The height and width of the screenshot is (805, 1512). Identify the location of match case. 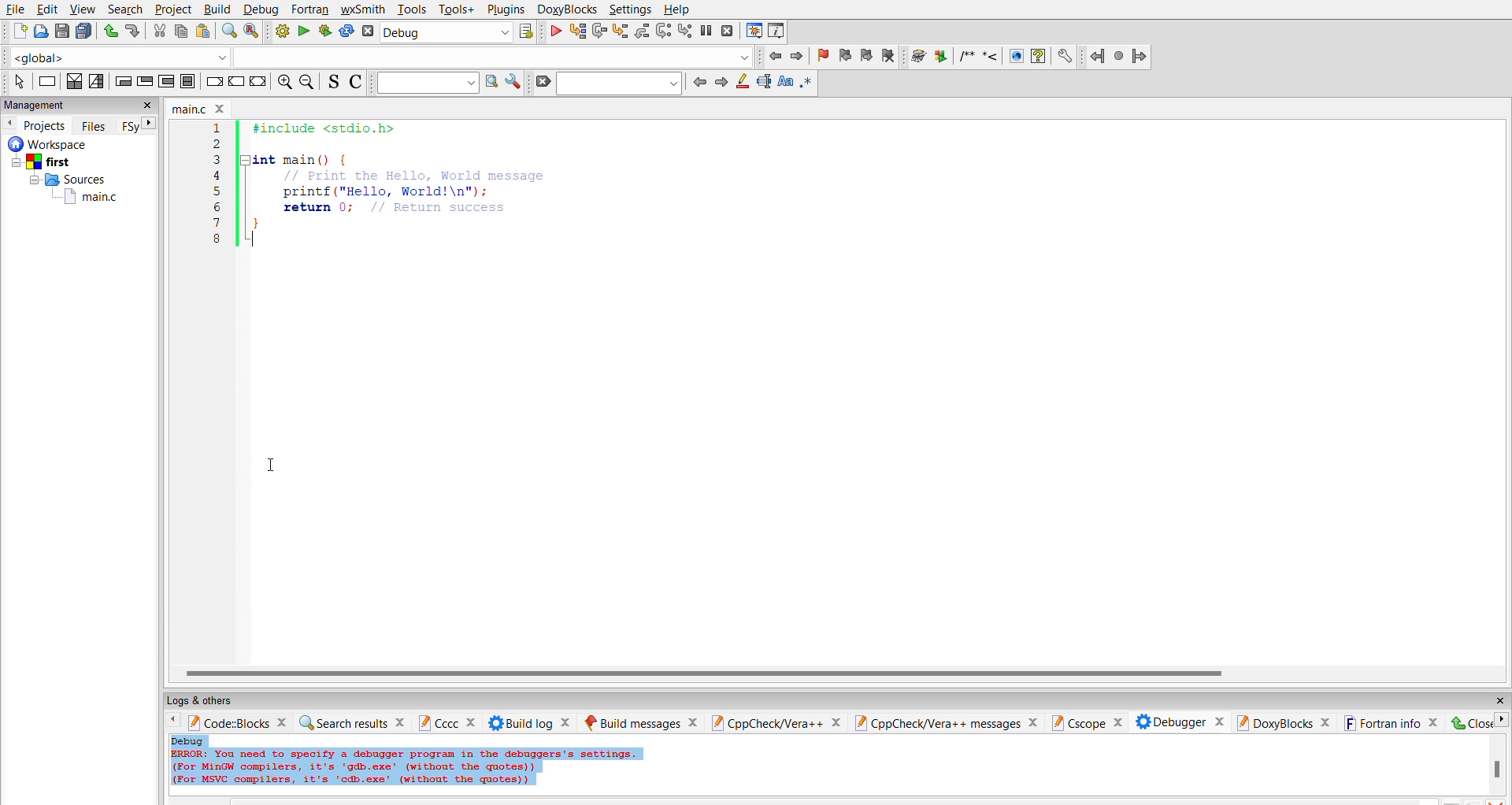
(784, 83).